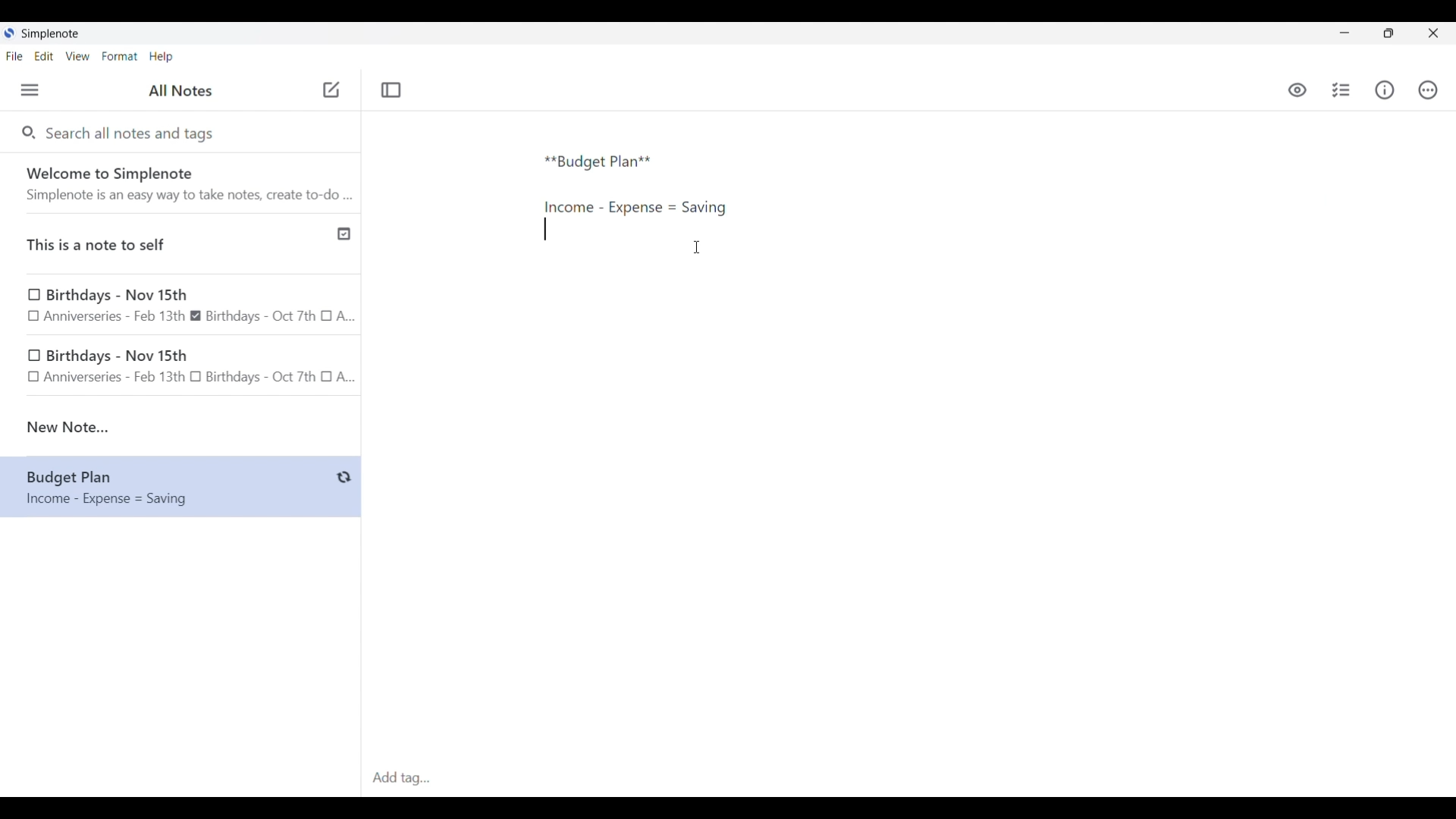 This screenshot has width=1456, height=819. What do you see at coordinates (161, 56) in the screenshot?
I see `Help menu` at bounding box center [161, 56].